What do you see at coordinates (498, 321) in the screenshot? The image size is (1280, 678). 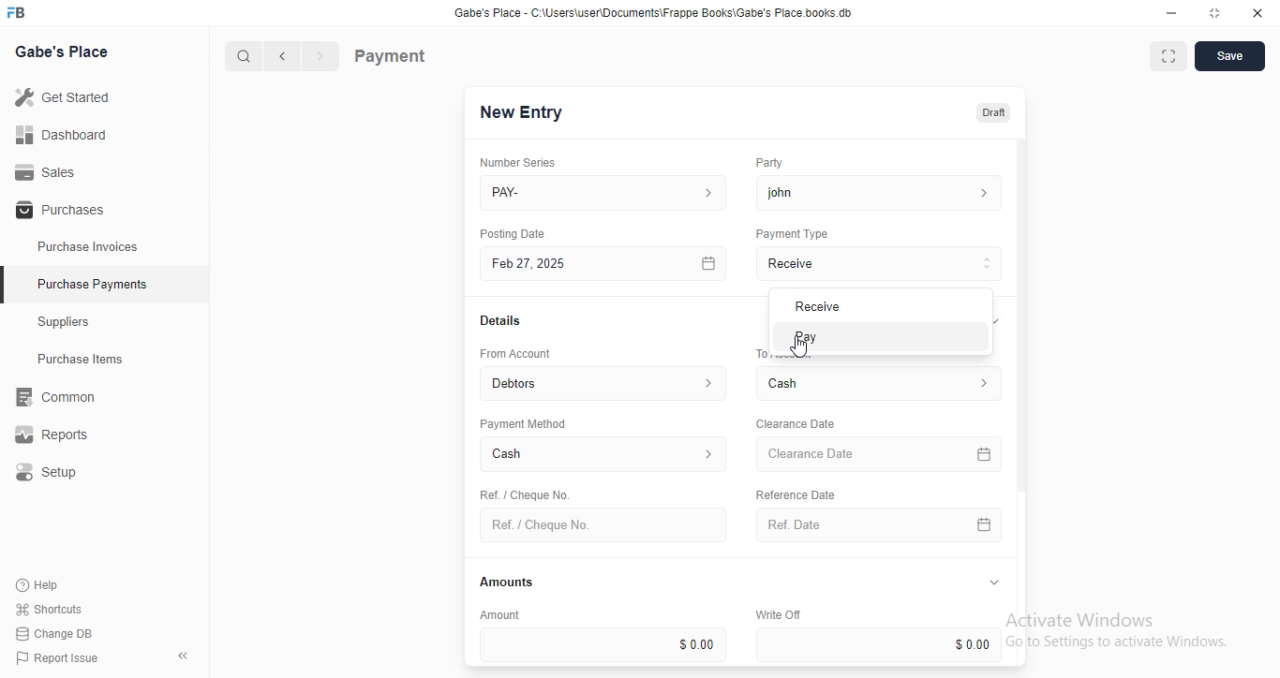 I see `Details` at bounding box center [498, 321].